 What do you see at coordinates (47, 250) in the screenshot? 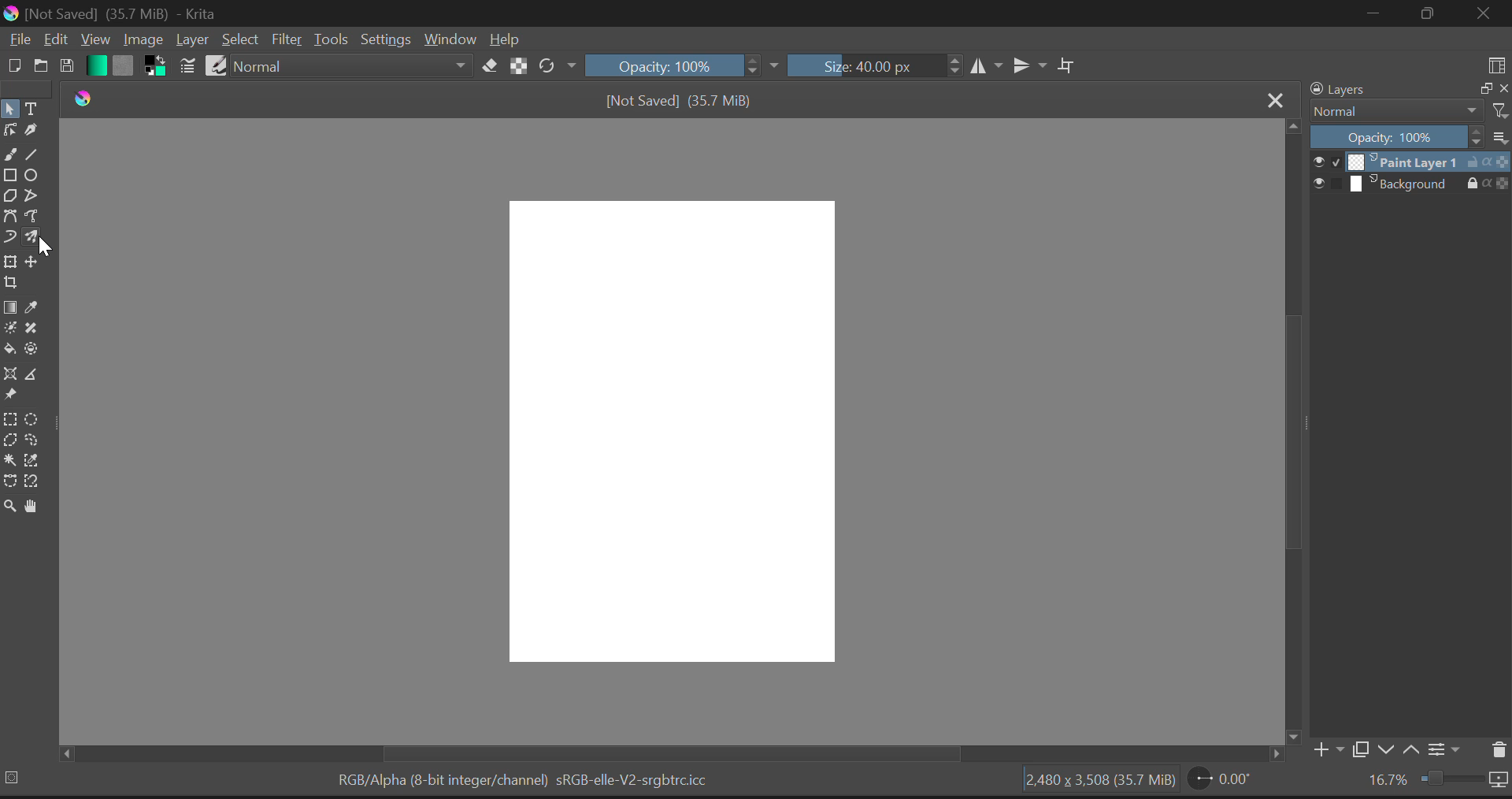
I see `cursor` at bounding box center [47, 250].